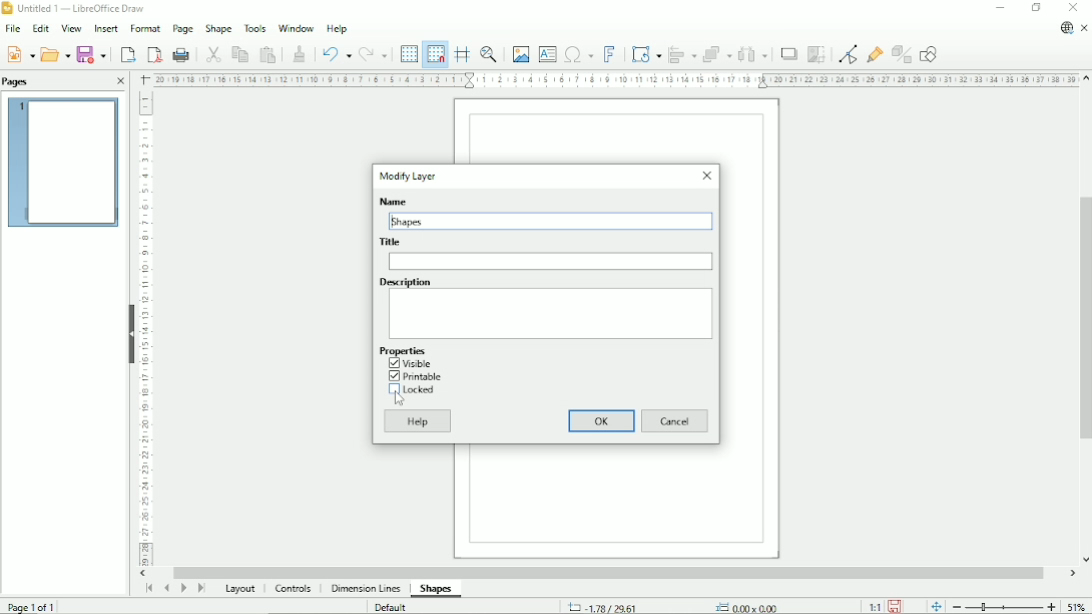  I want to click on Paste, so click(268, 54).